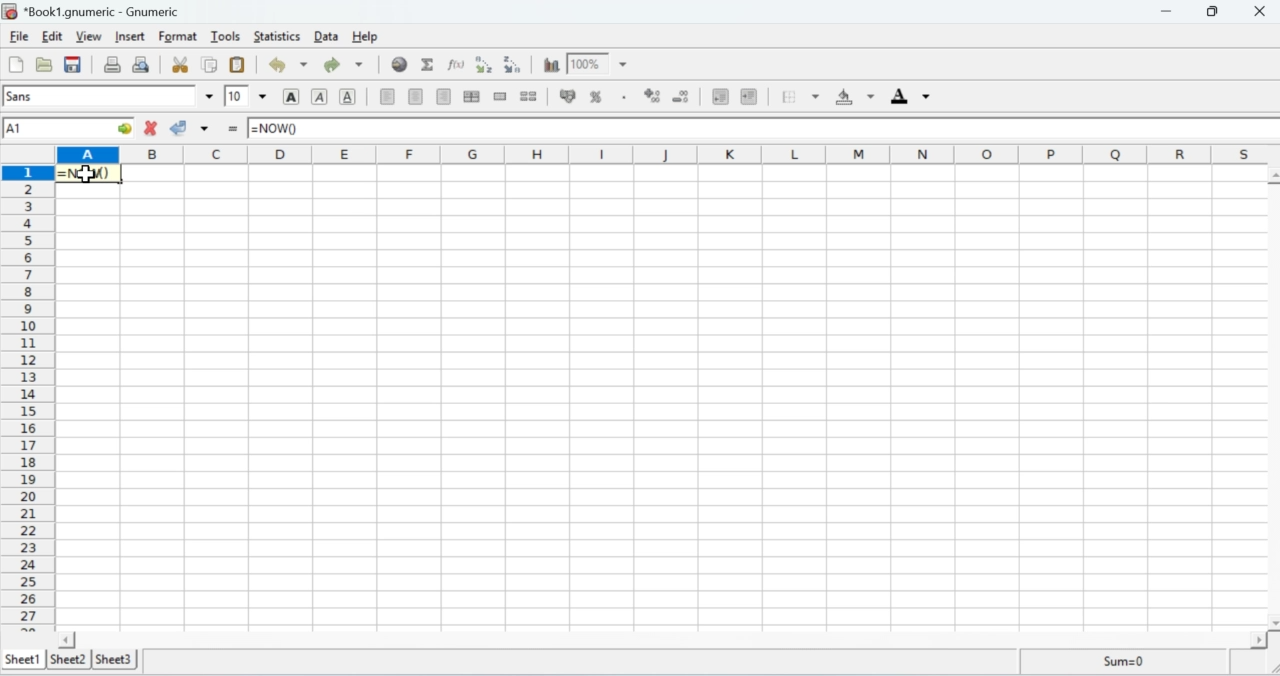 The height and width of the screenshot is (676, 1280). Describe the element at coordinates (117, 130) in the screenshot. I see `go to` at that location.